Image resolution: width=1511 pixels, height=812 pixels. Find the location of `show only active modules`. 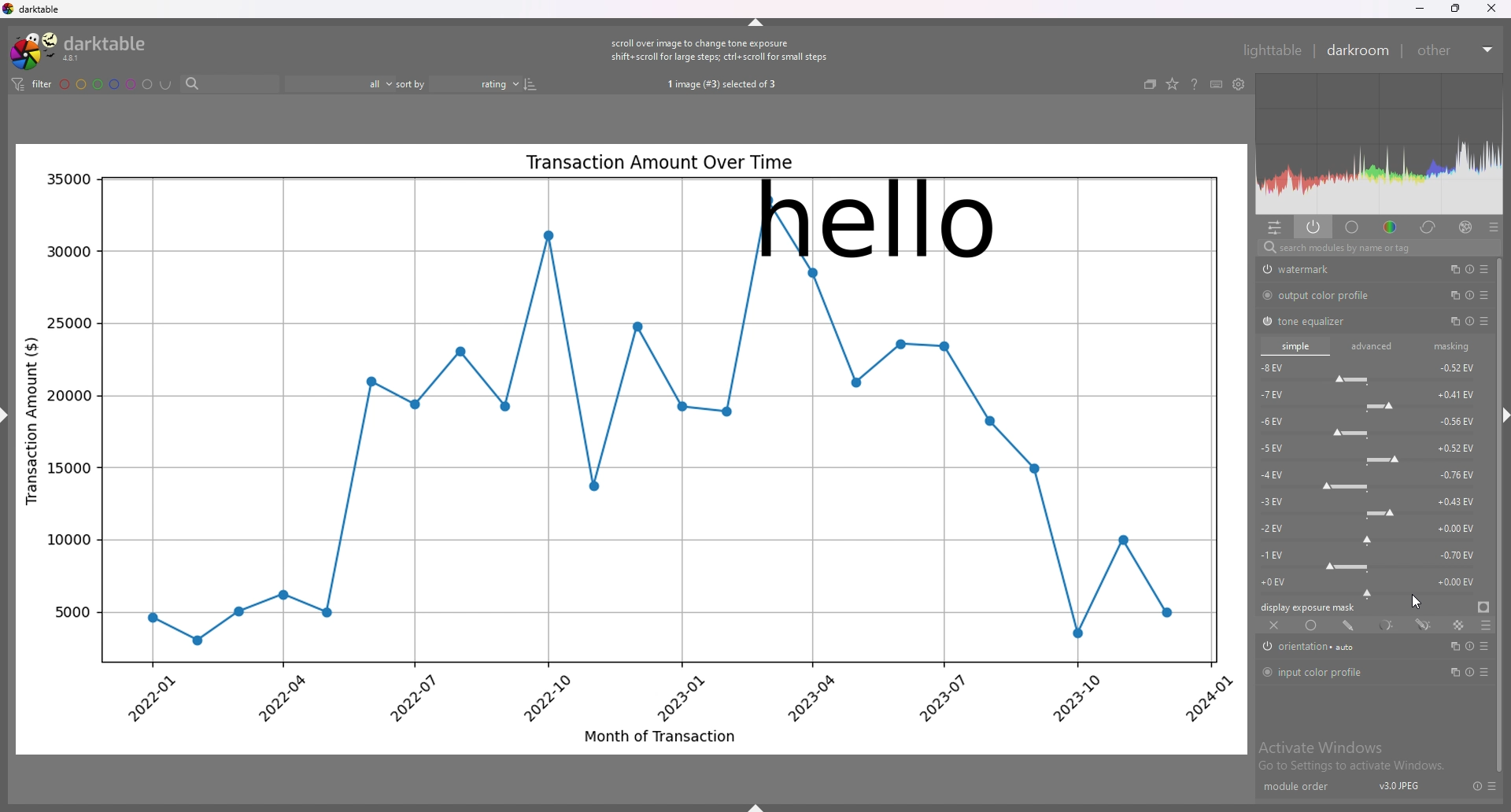

show only active modules is located at coordinates (1314, 228).